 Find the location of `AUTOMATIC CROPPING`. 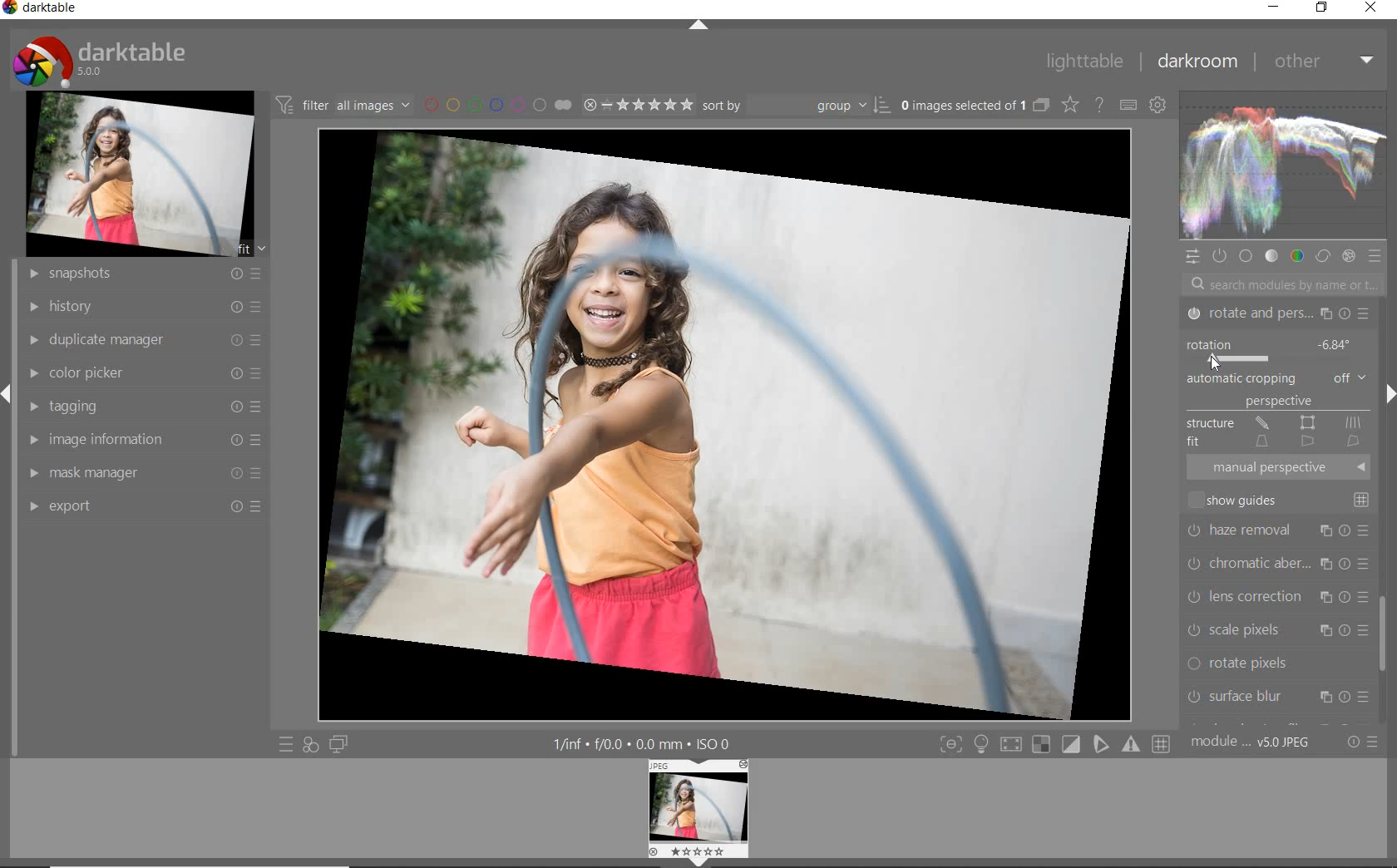

AUTOMATIC CROPPING is located at coordinates (1279, 379).